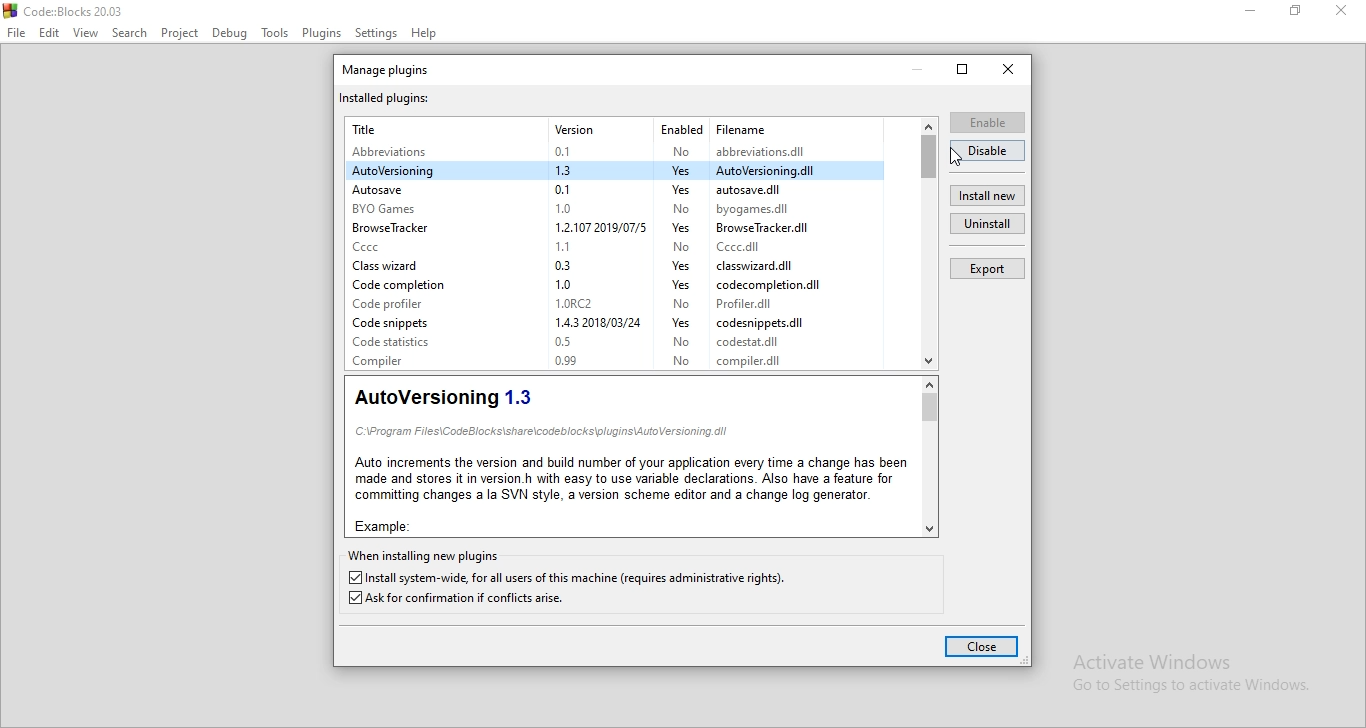  I want to click on 1.0, so click(565, 282).